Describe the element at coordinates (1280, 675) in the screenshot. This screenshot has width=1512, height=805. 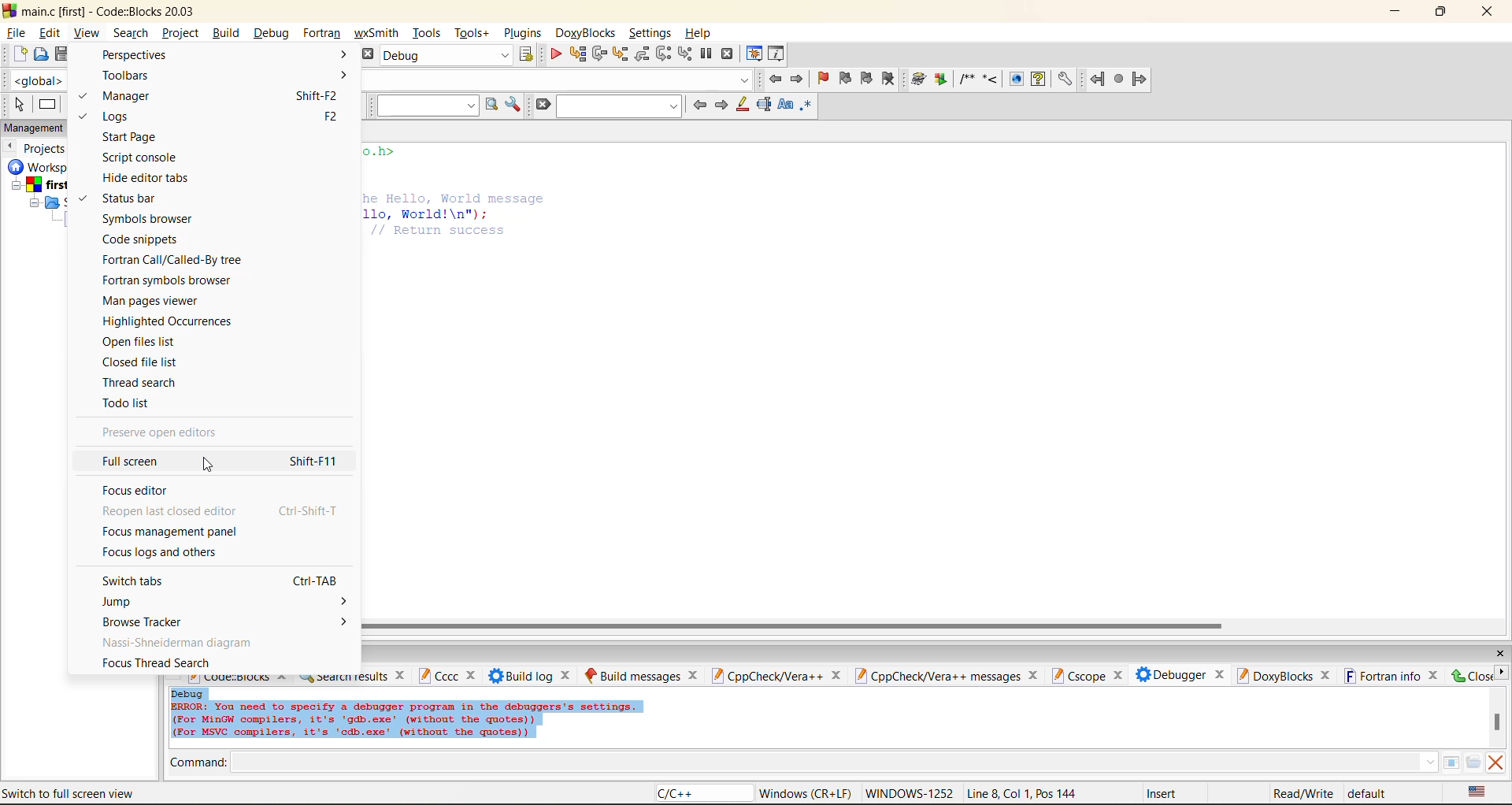
I see `doxyblocks` at that location.